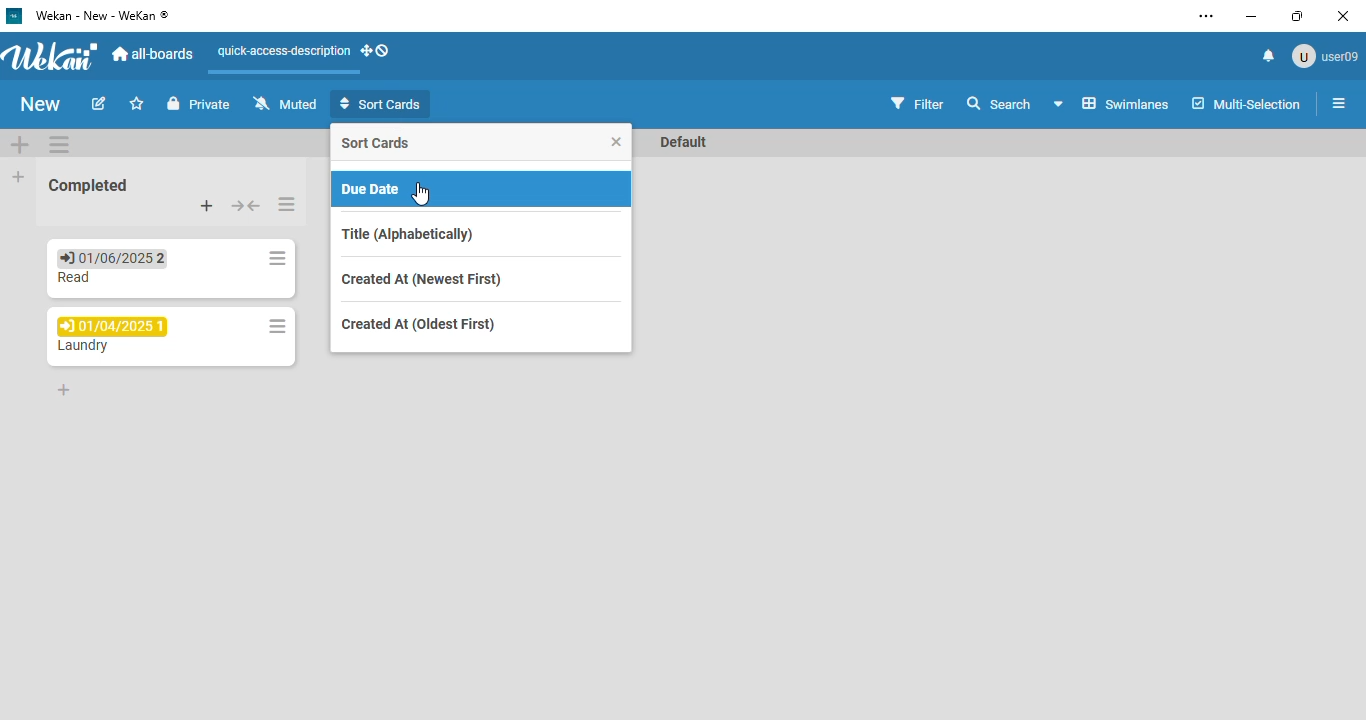 The width and height of the screenshot is (1366, 720). What do you see at coordinates (377, 142) in the screenshot?
I see `sort cards` at bounding box center [377, 142].